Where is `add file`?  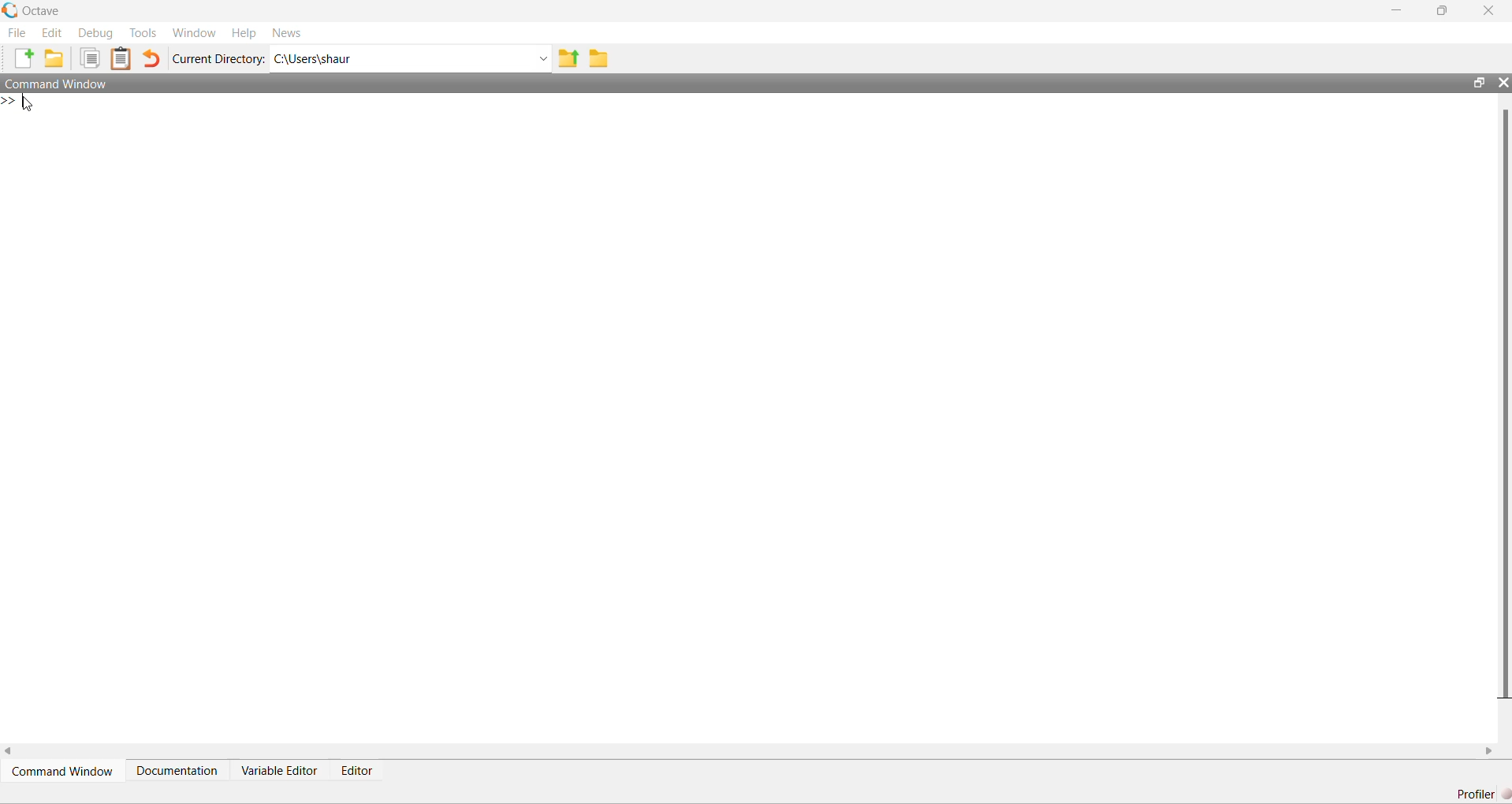
add file is located at coordinates (25, 58).